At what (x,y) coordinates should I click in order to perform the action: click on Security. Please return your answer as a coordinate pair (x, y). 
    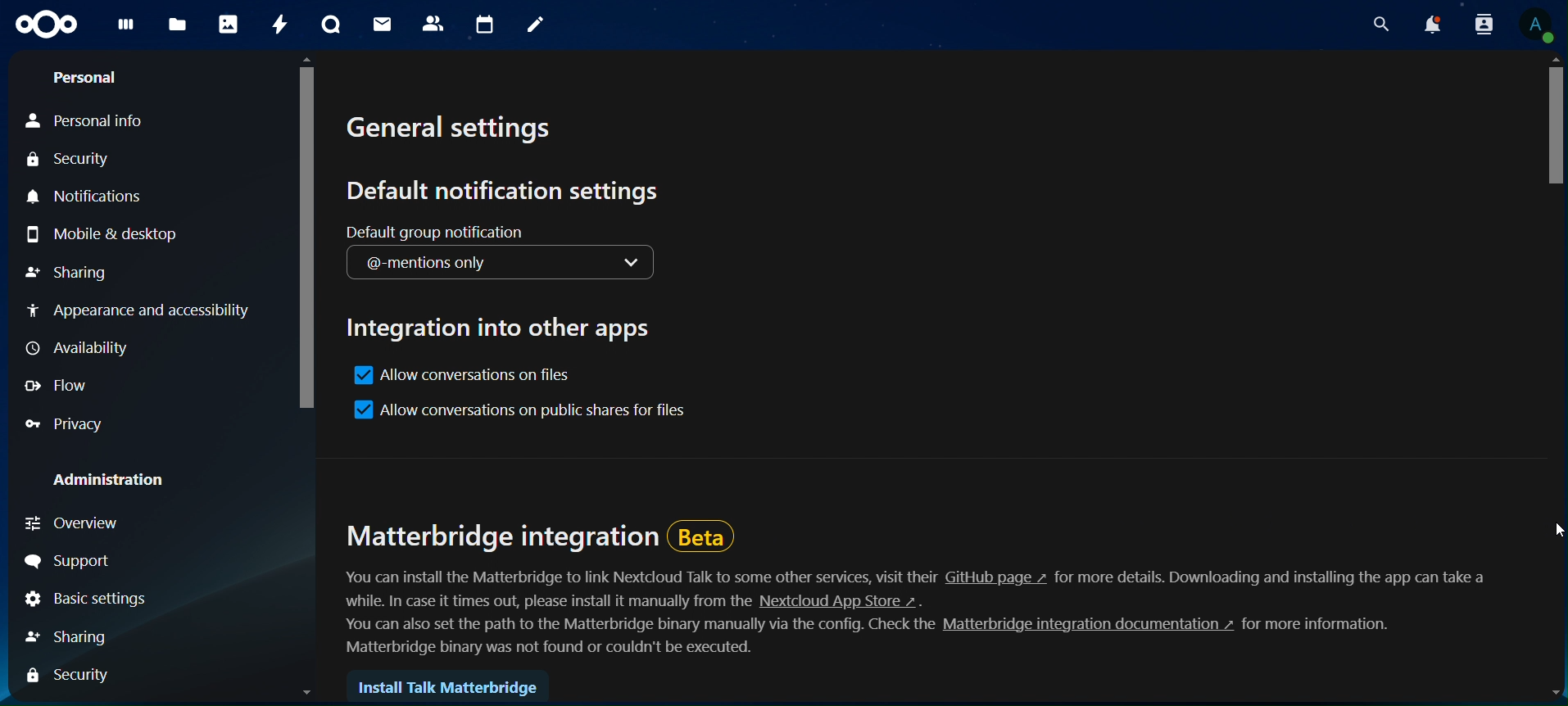
    Looking at the image, I should click on (69, 678).